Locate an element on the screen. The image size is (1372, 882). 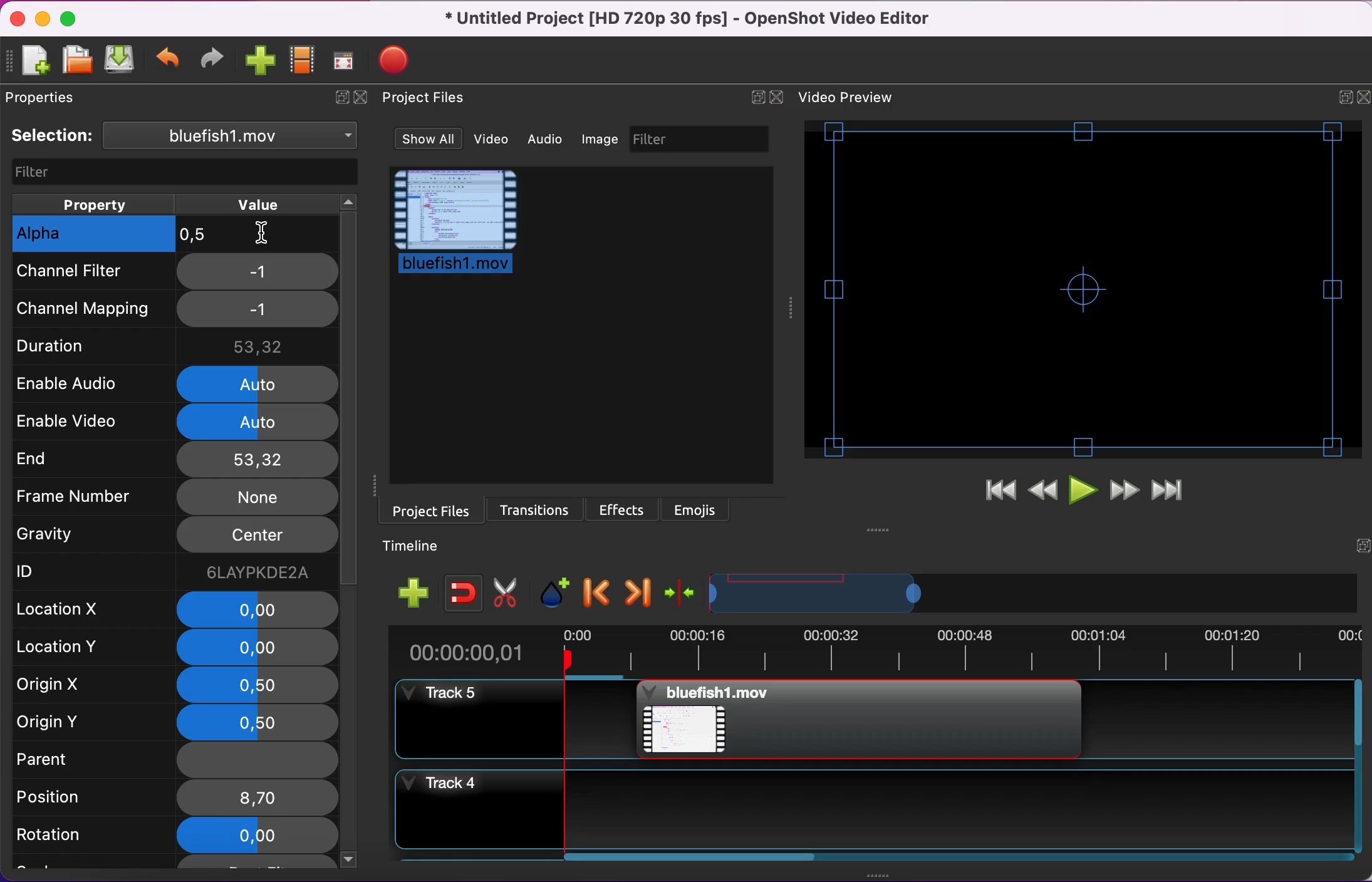
origin y is located at coordinates (71, 724).